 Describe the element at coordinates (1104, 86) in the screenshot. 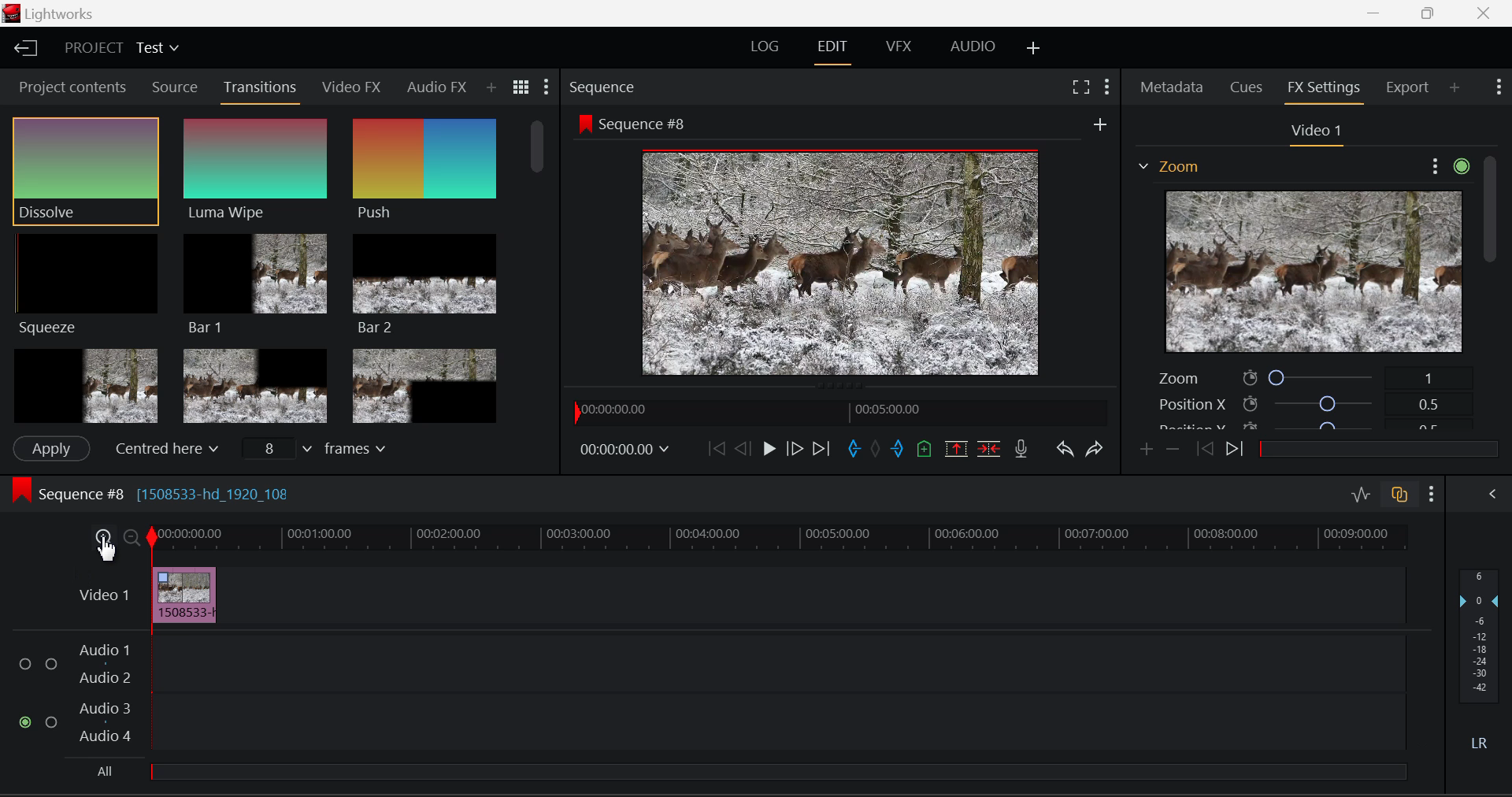

I see `Show Settings` at that location.